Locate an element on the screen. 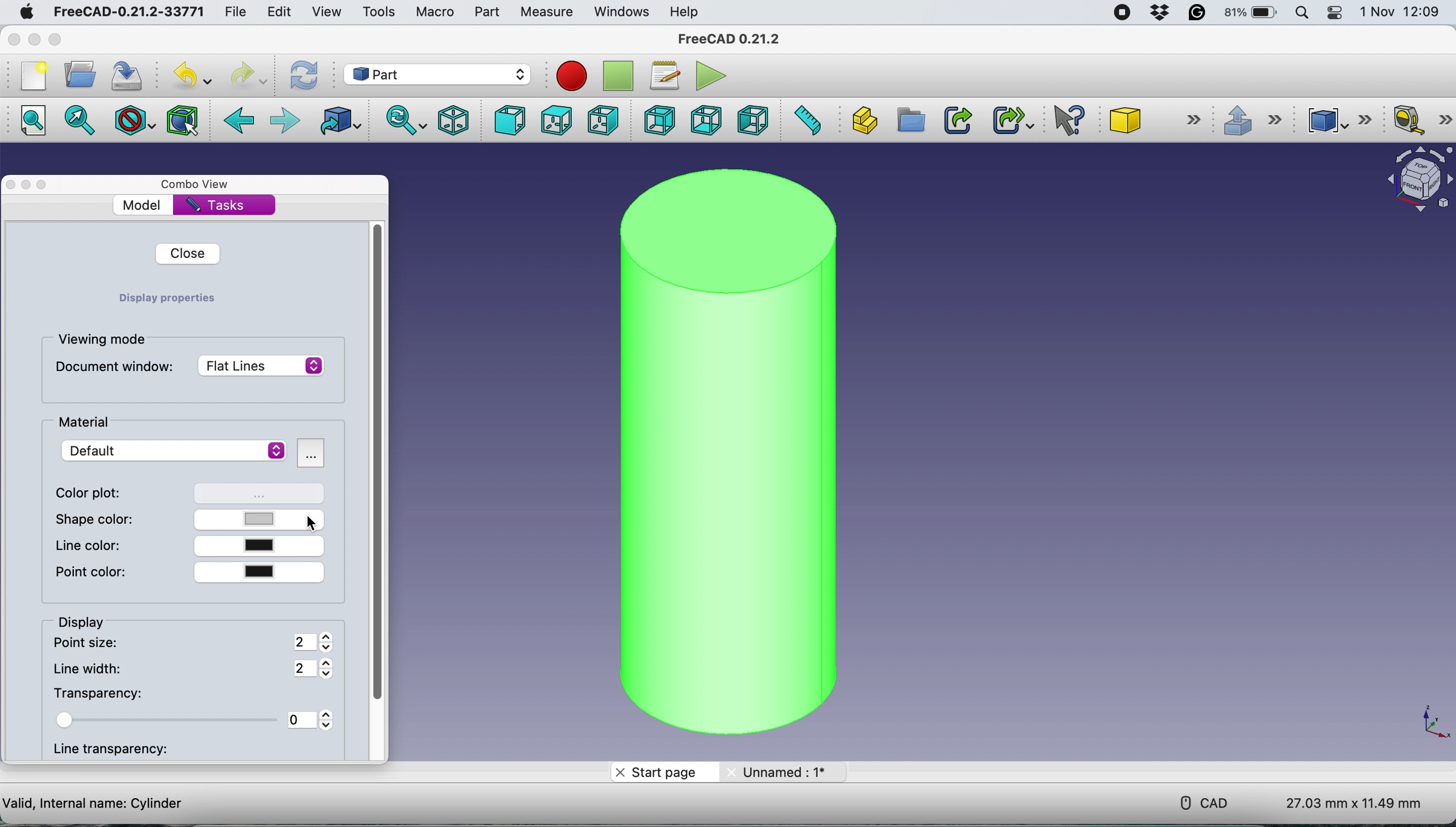 The height and width of the screenshot is (827, 1456). cylinder details is located at coordinates (94, 804).